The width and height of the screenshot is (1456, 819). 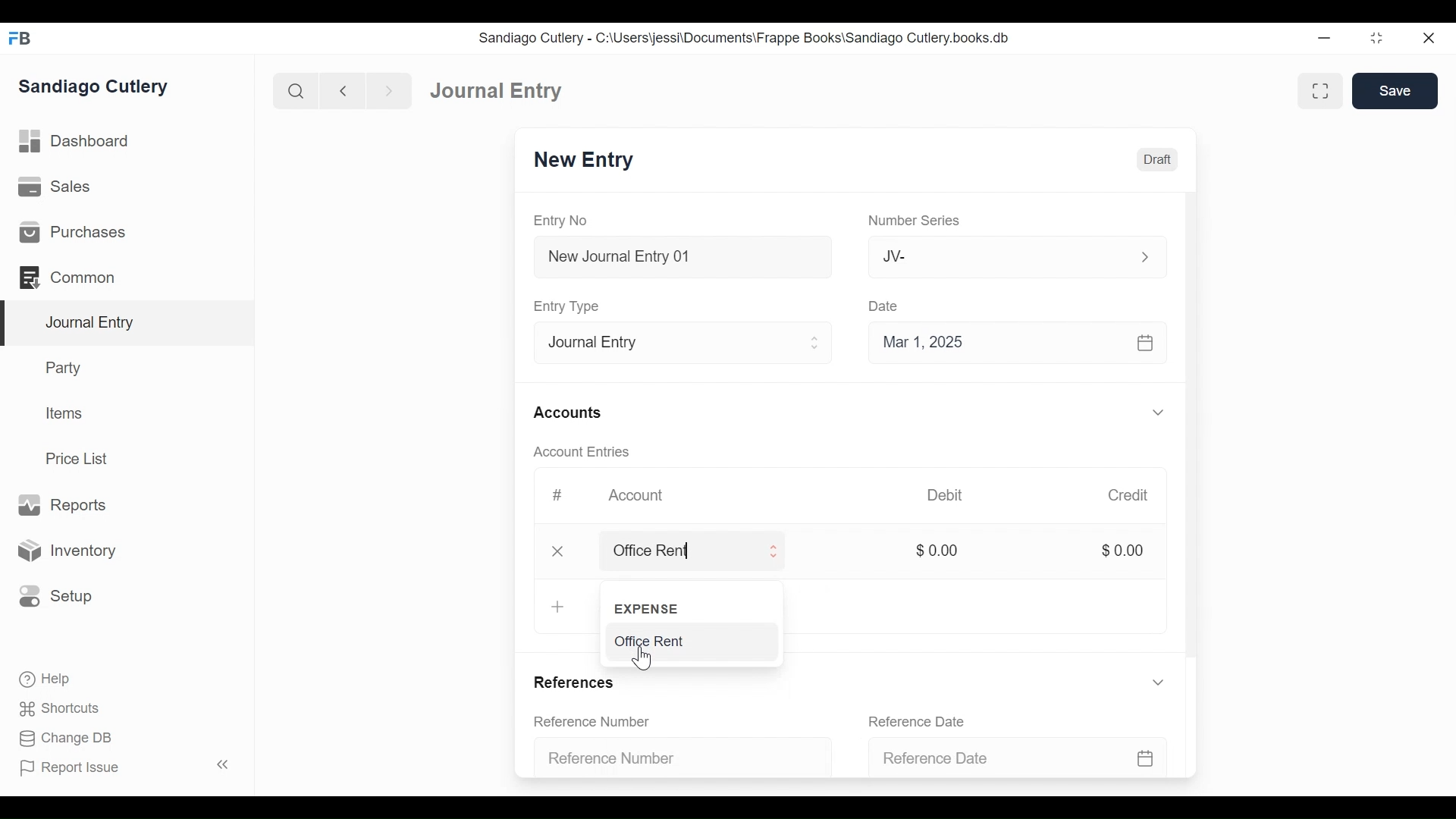 What do you see at coordinates (1018, 341) in the screenshot?
I see `Mar 1, 2025` at bounding box center [1018, 341].